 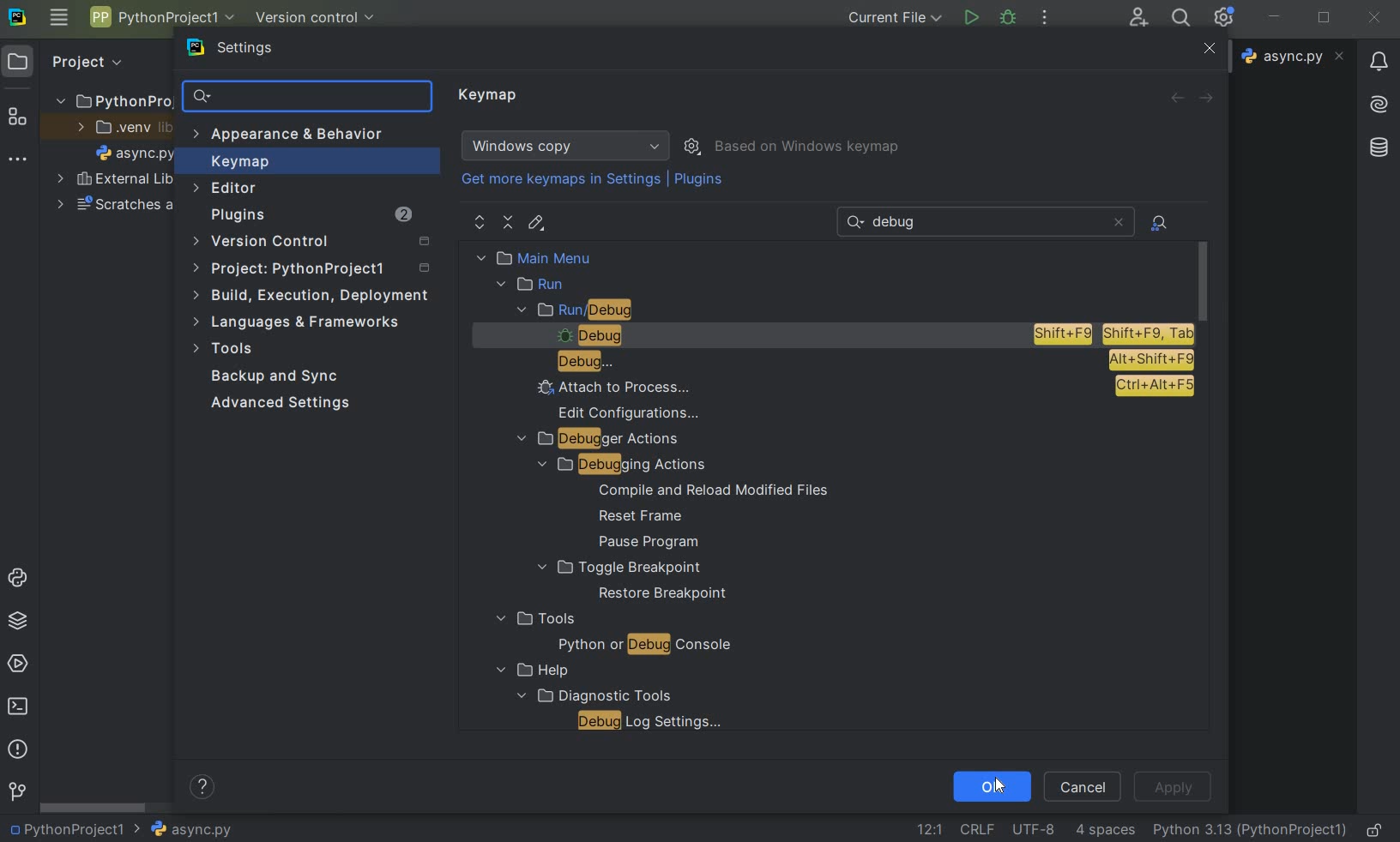 What do you see at coordinates (321, 19) in the screenshot?
I see `version control` at bounding box center [321, 19].